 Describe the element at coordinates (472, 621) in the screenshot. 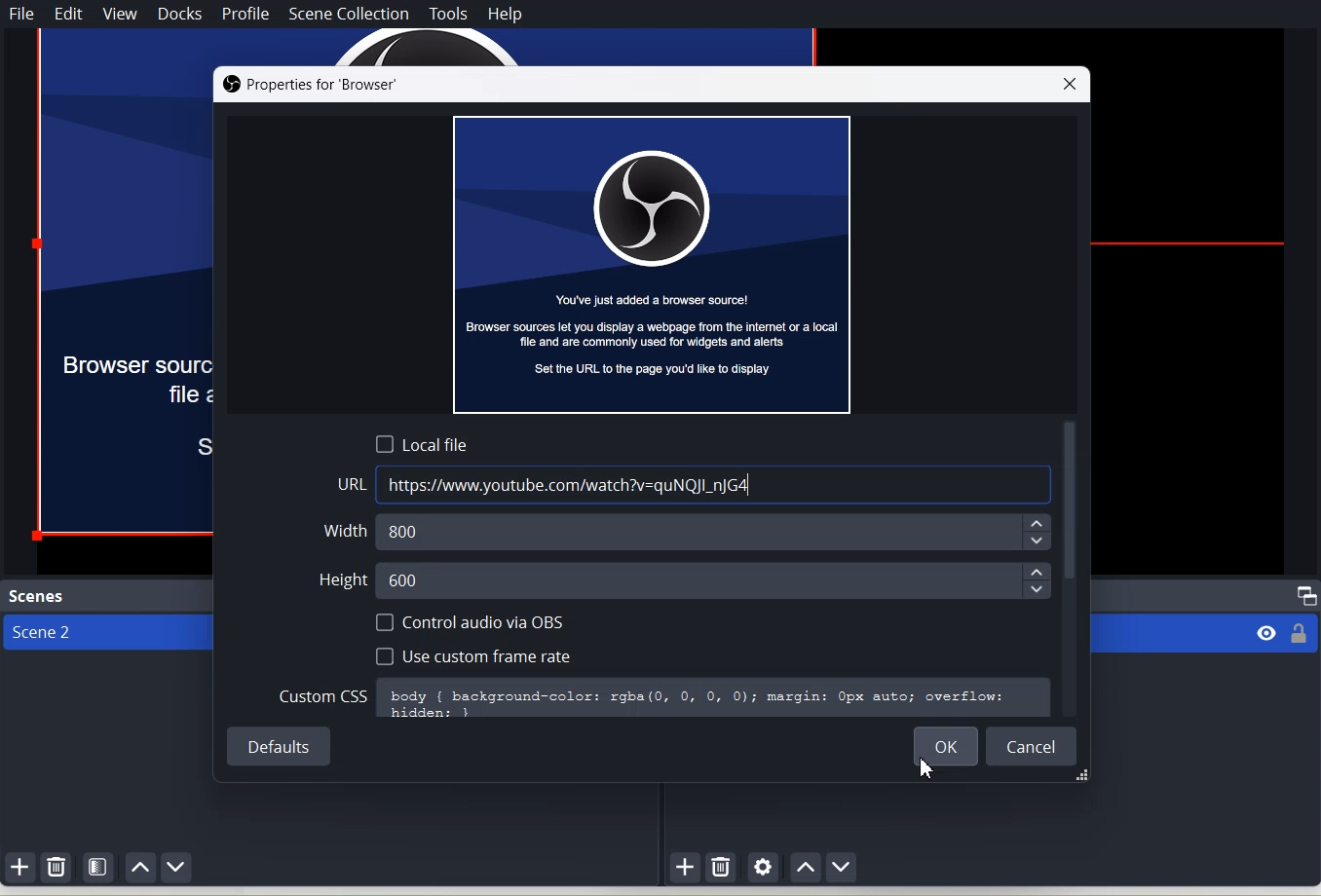

I see `Control audio via OBS` at that location.